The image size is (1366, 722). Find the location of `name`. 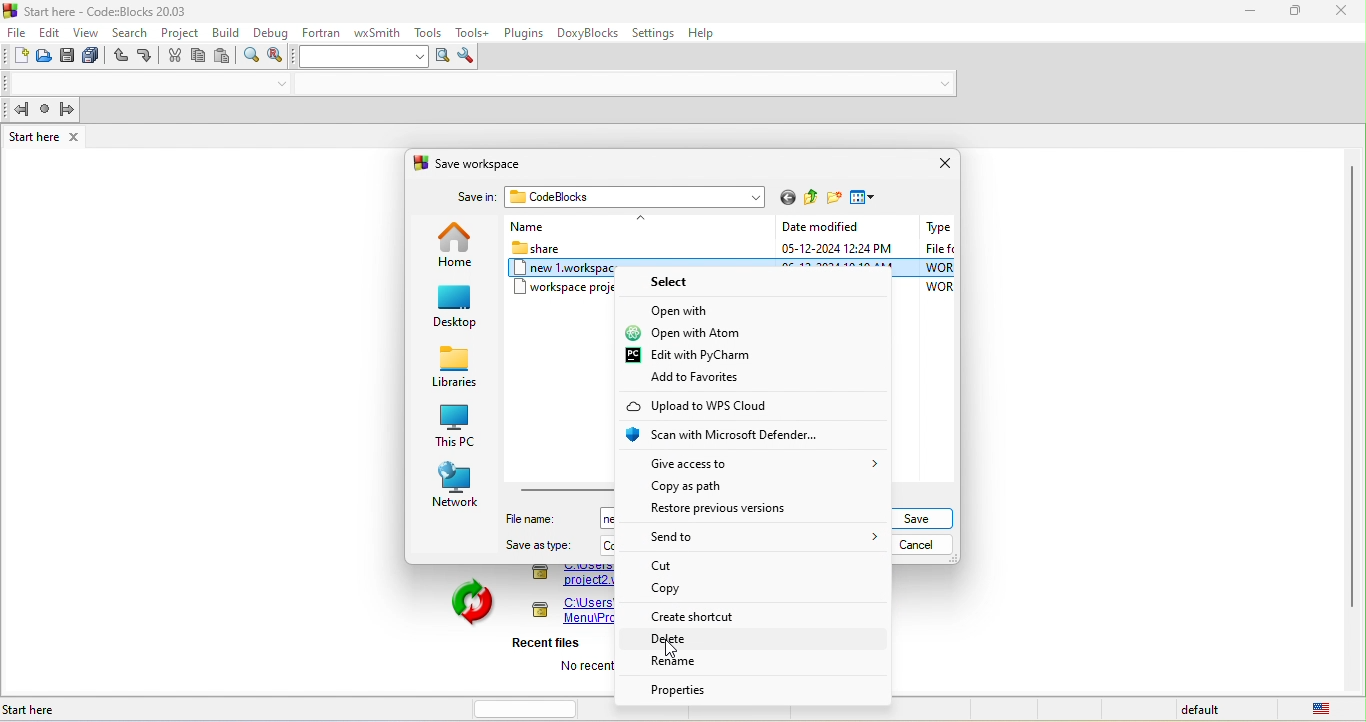

name is located at coordinates (595, 228).